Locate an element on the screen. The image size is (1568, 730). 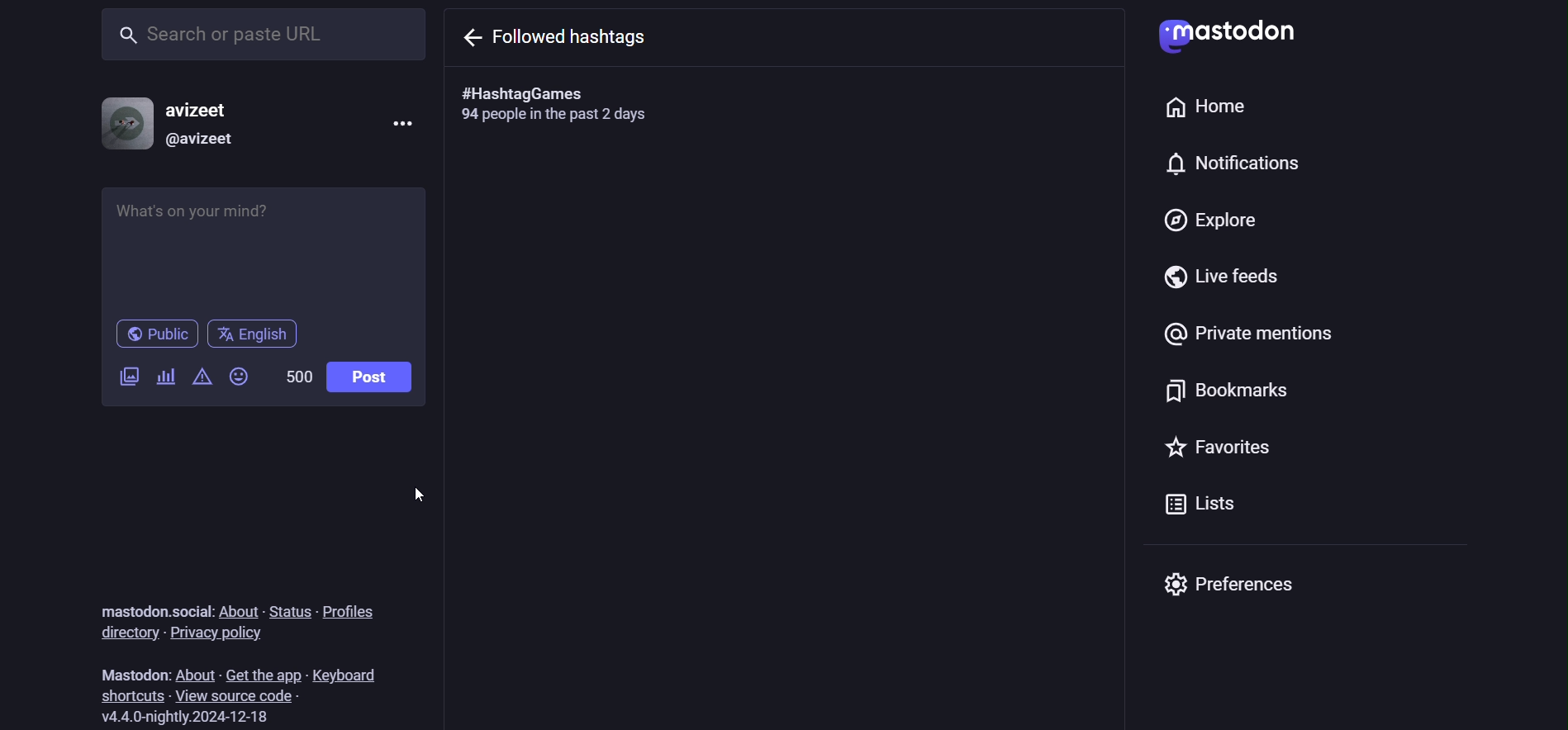
@avizeet is located at coordinates (207, 142).